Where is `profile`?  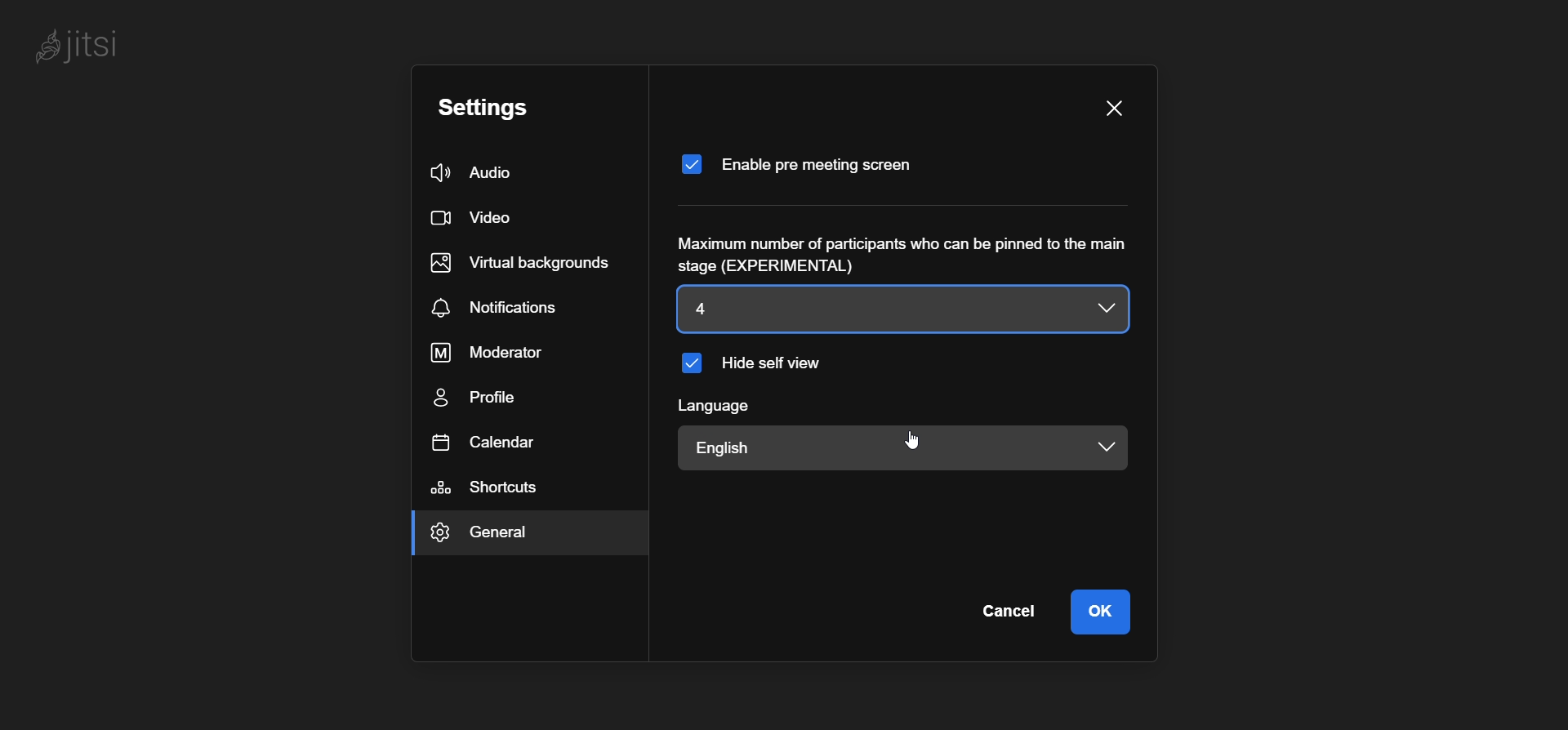 profile is located at coordinates (480, 400).